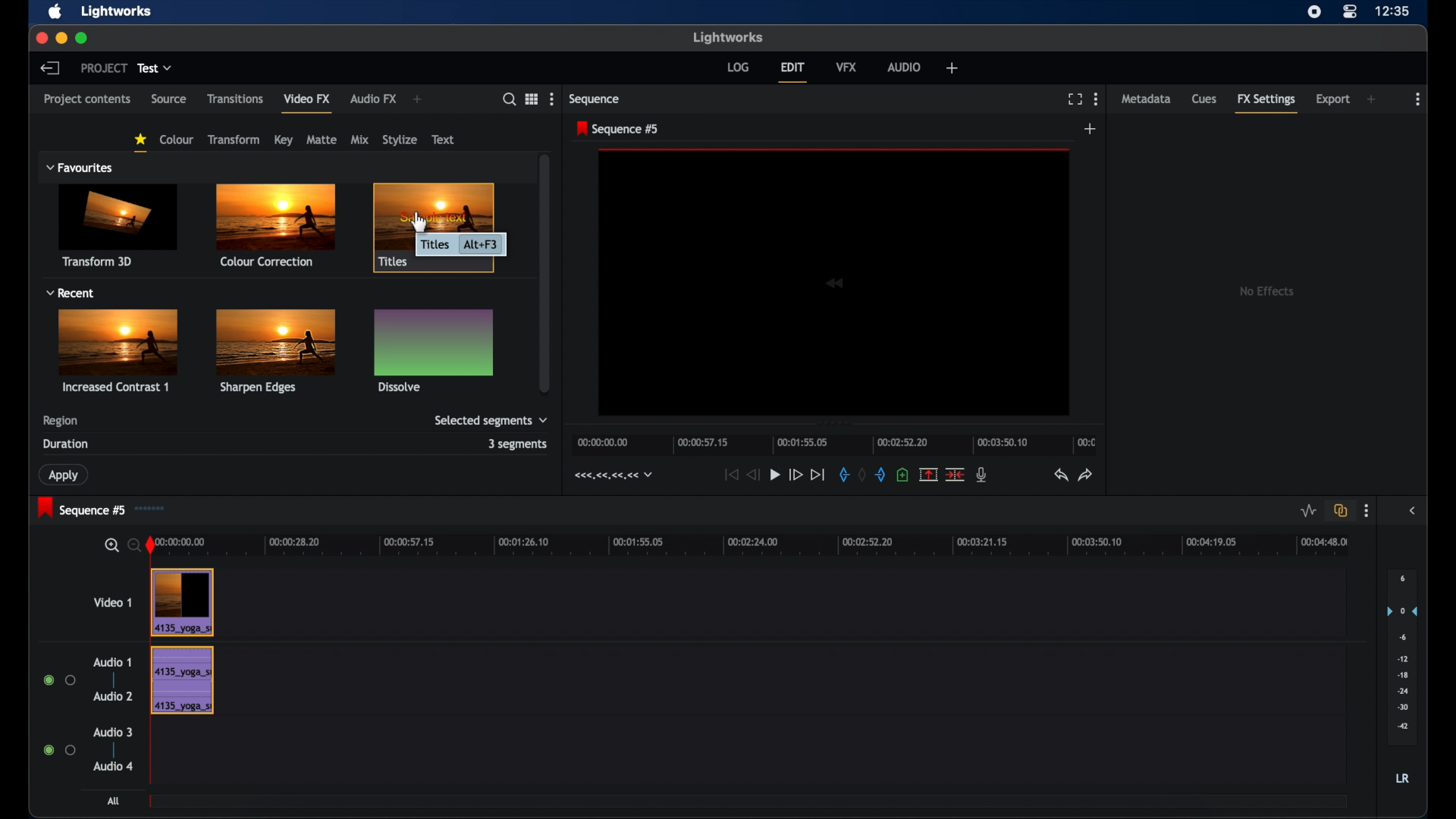  What do you see at coordinates (112, 733) in the screenshot?
I see `audio 3` at bounding box center [112, 733].